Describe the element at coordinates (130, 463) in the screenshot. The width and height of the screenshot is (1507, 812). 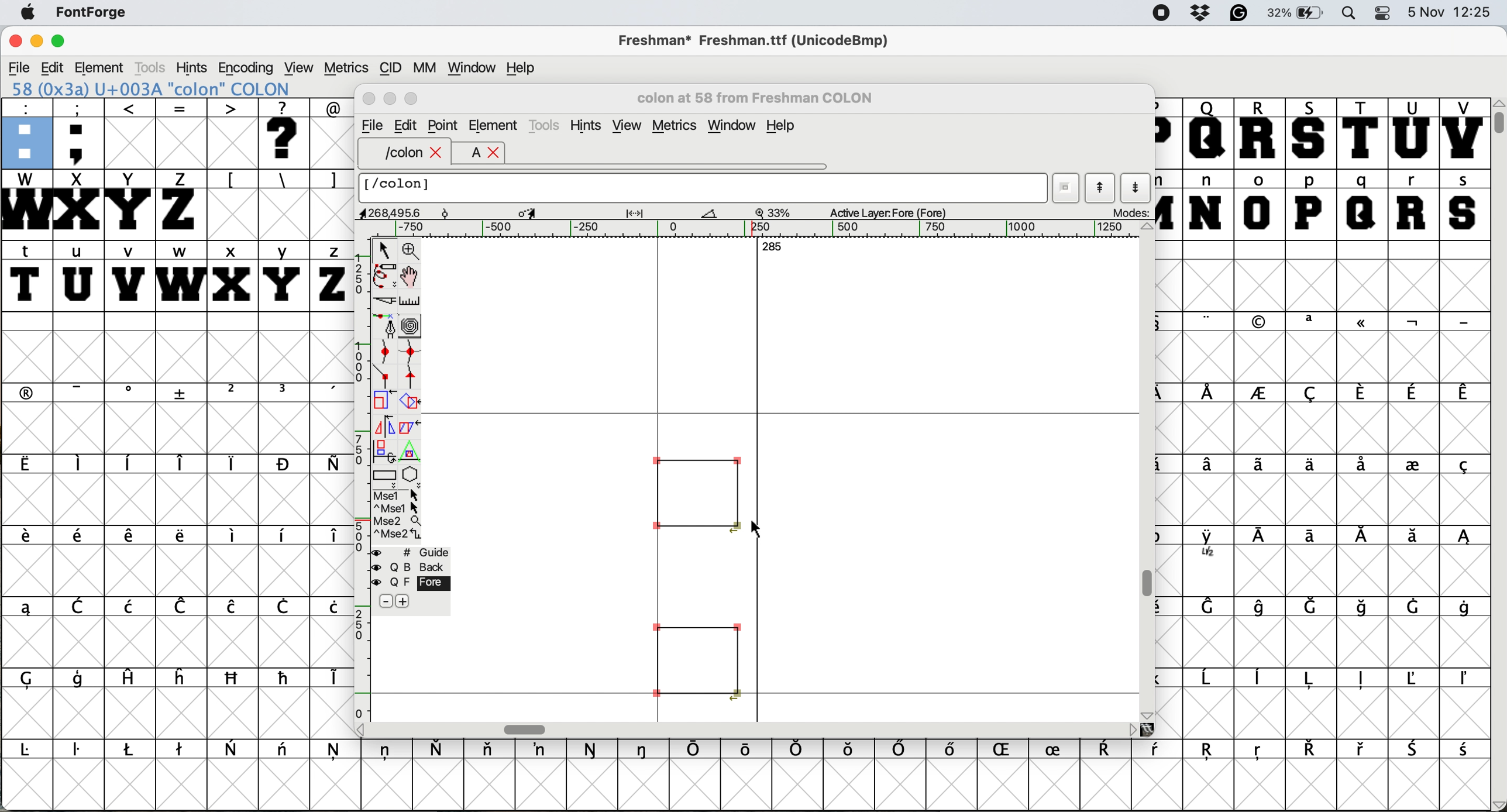
I see `symbol` at that location.